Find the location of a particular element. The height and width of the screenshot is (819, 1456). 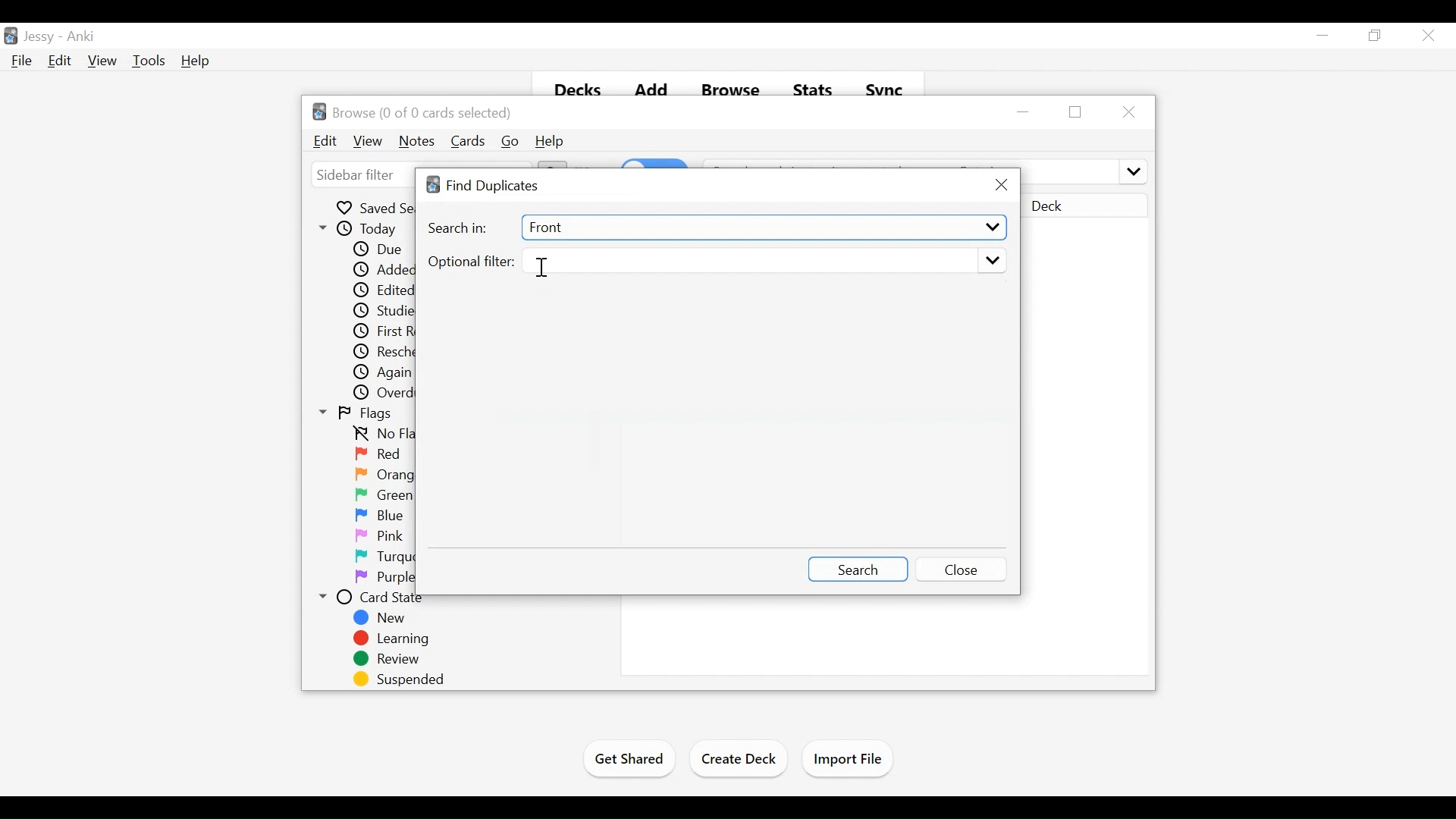

Anki is located at coordinates (81, 38).